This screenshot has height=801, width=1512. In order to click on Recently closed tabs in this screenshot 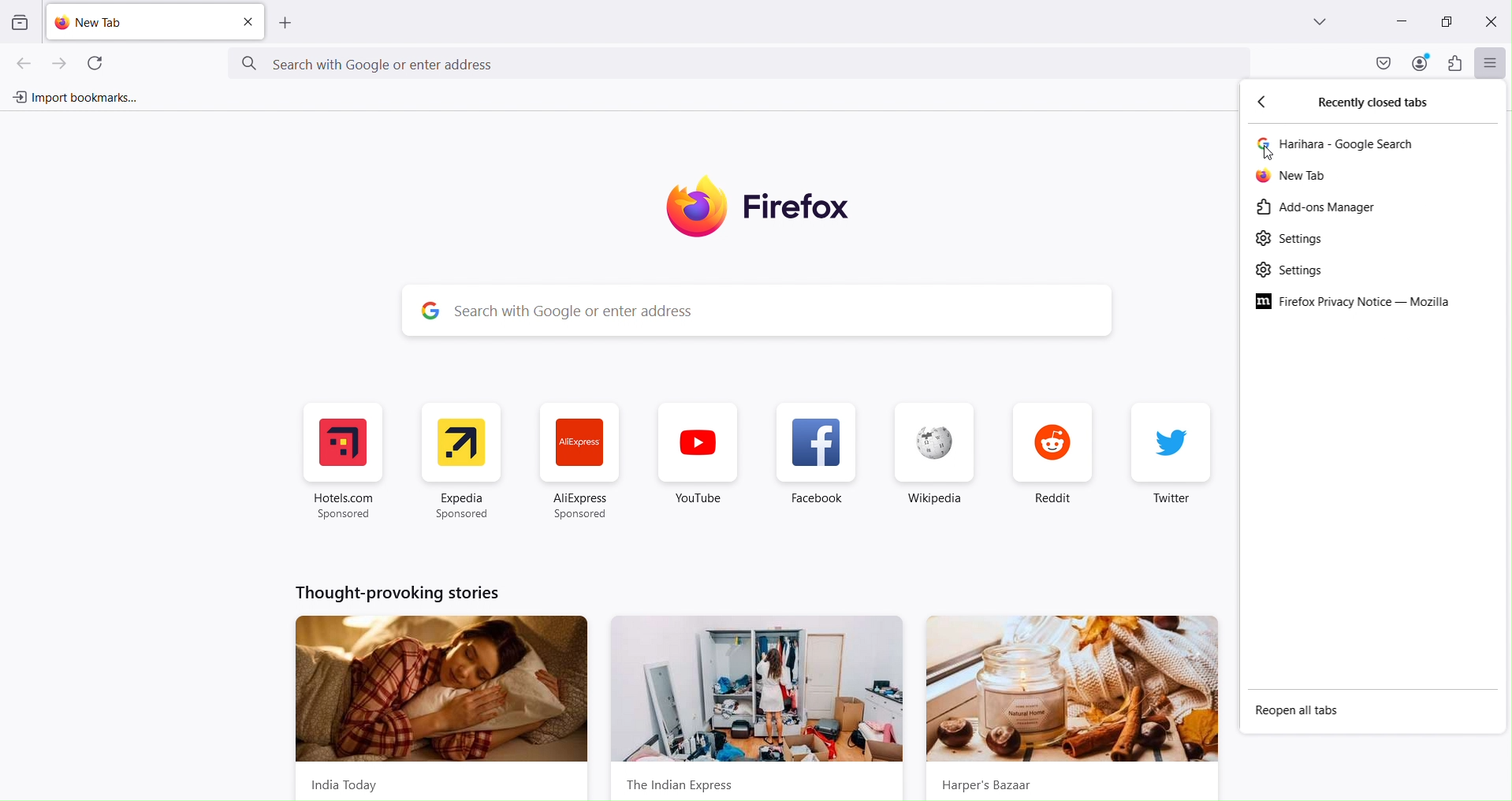, I will do `click(1384, 103)`.